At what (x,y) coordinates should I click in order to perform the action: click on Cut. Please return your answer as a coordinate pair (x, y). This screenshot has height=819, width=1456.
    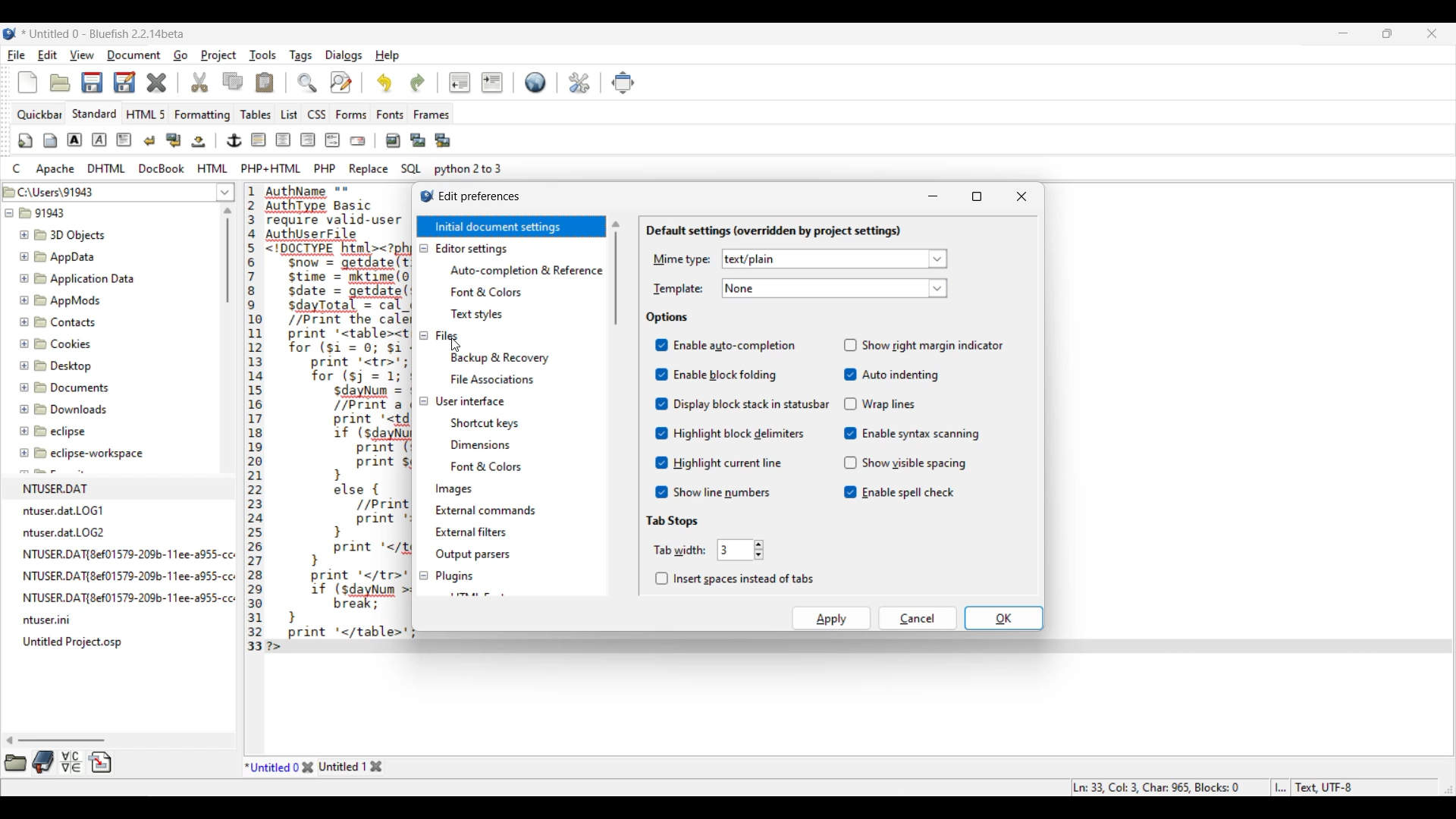
    Looking at the image, I should click on (199, 82).